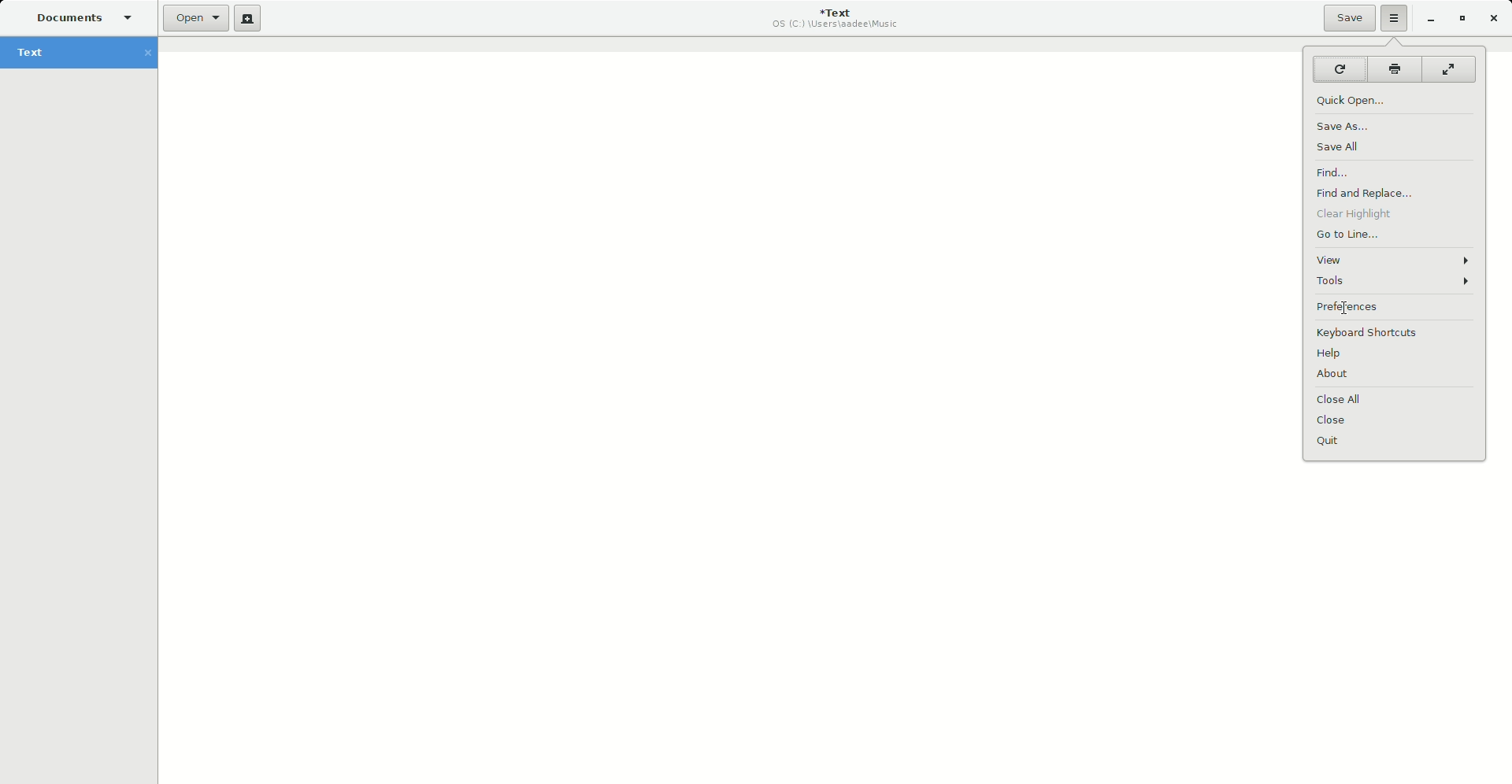 The height and width of the screenshot is (784, 1512). Describe the element at coordinates (1328, 440) in the screenshot. I see `Quit` at that location.